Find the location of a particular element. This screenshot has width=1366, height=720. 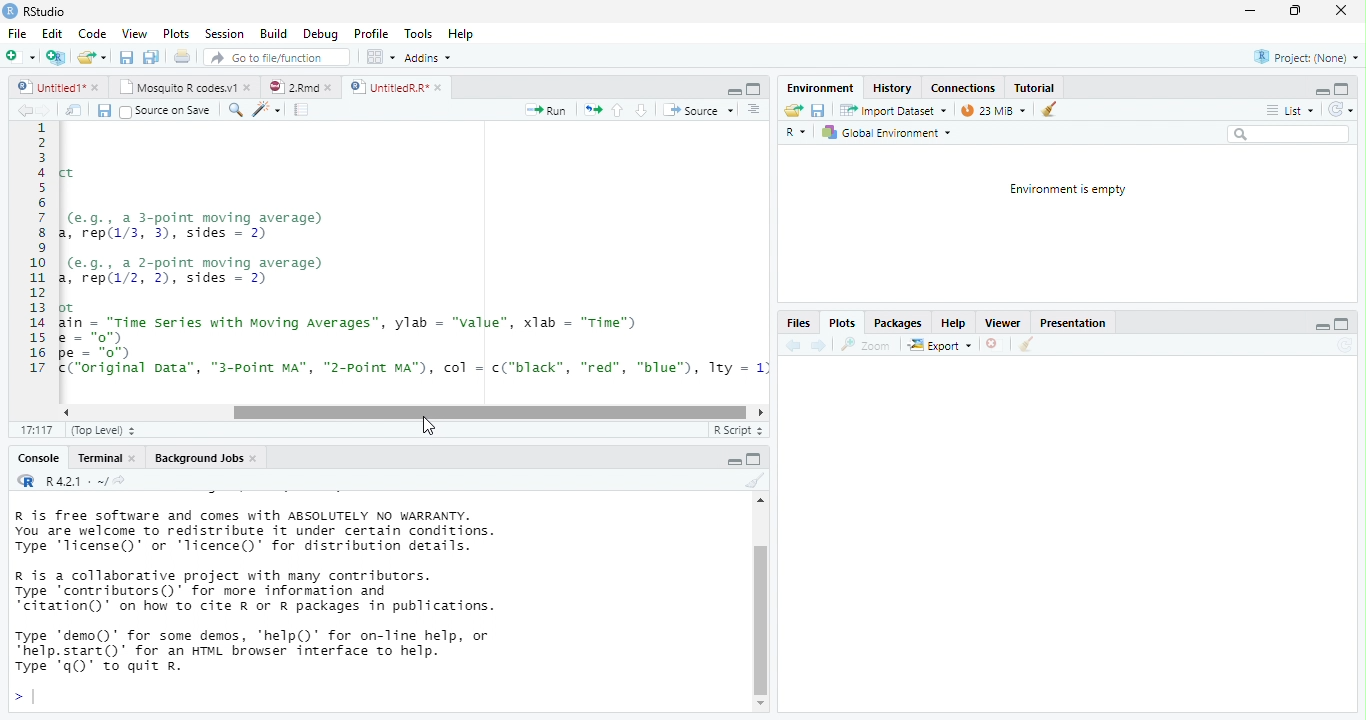

Edit is located at coordinates (52, 33).